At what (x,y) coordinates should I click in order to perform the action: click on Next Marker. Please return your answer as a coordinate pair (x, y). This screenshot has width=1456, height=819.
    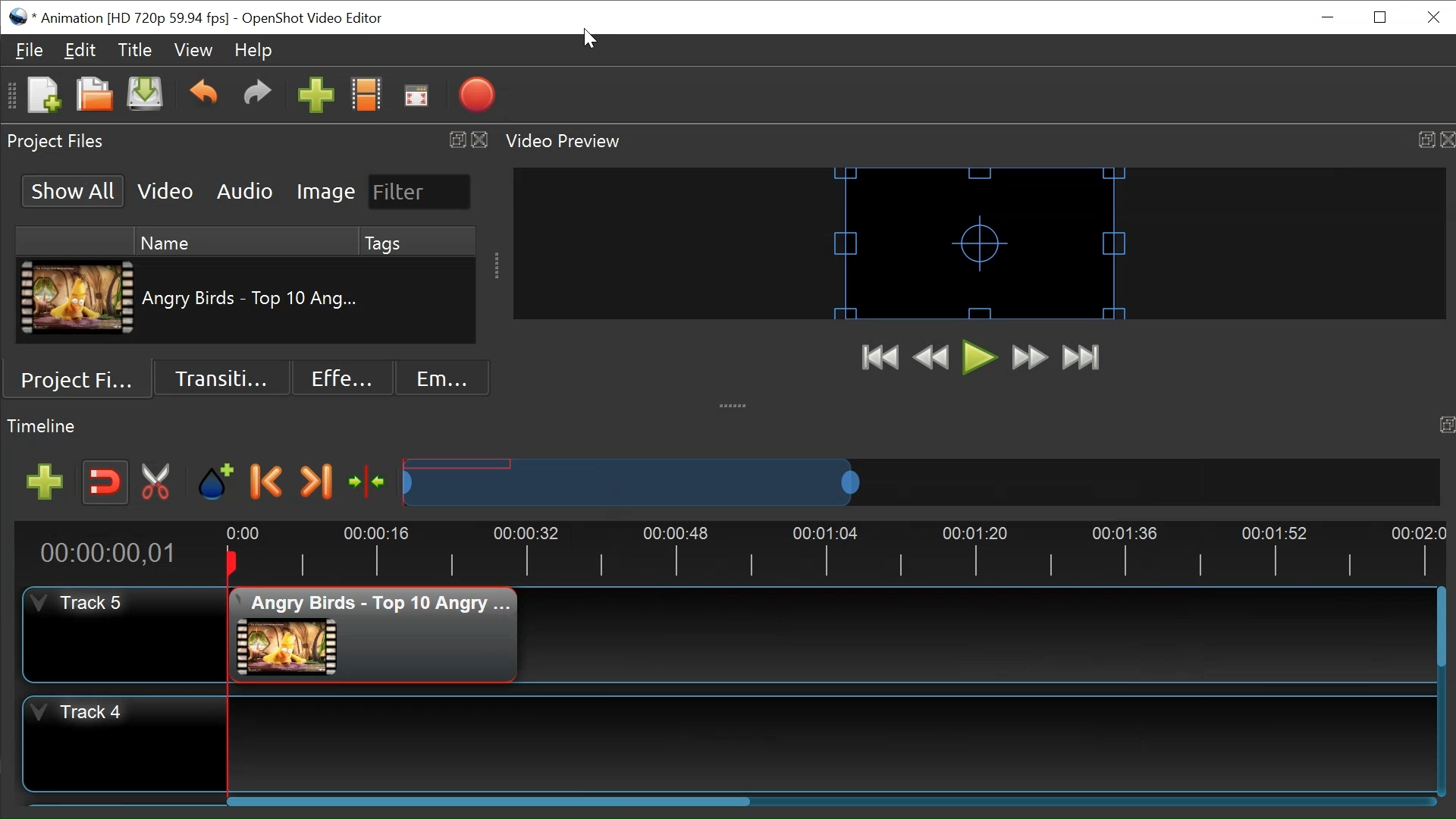
    Looking at the image, I should click on (318, 481).